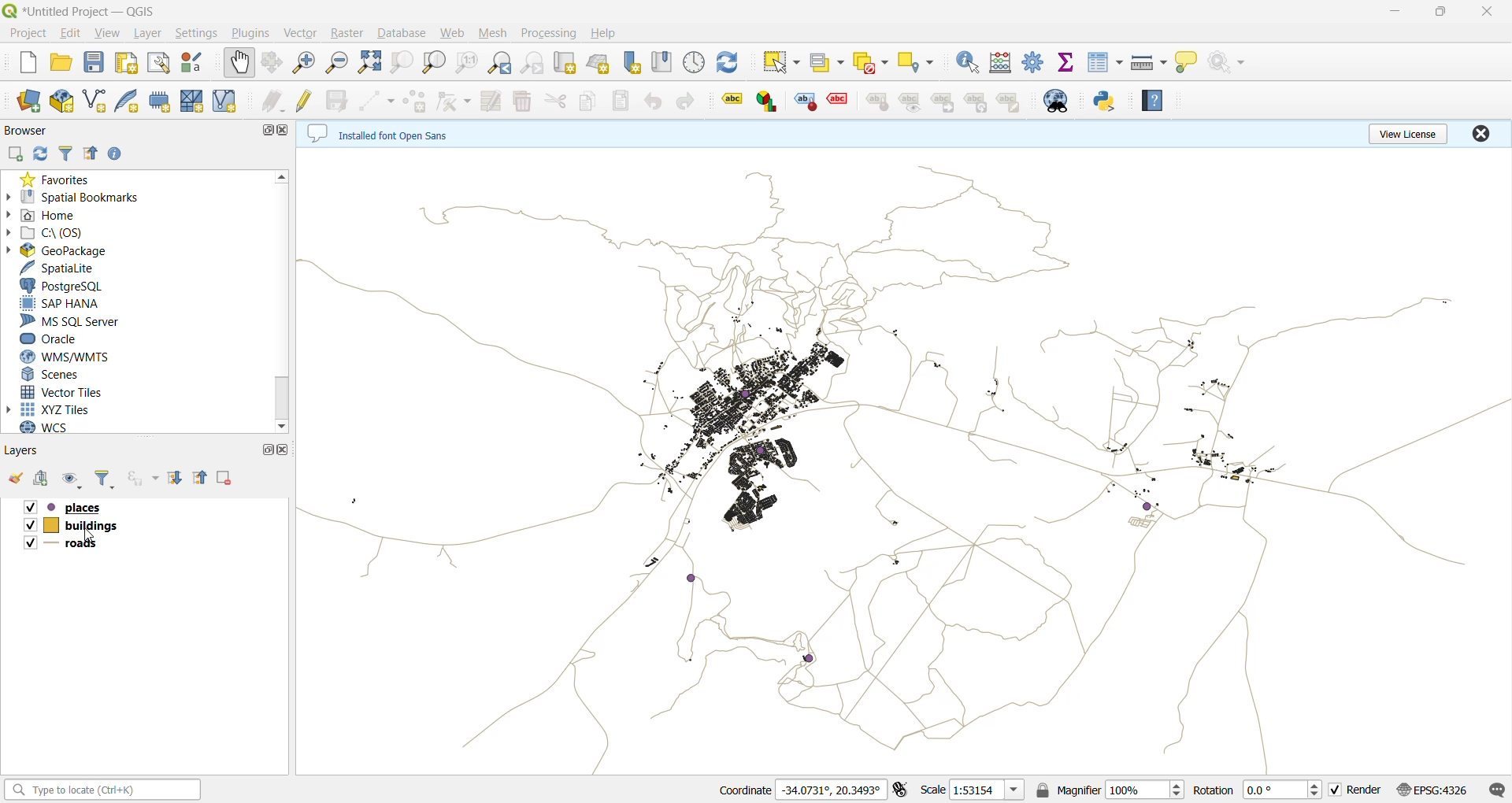 This screenshot has height=803, width=1512. What do you see at coordinates (177, 479) in the screenshot?
I see `expand all` at bounding box center [177, 479].